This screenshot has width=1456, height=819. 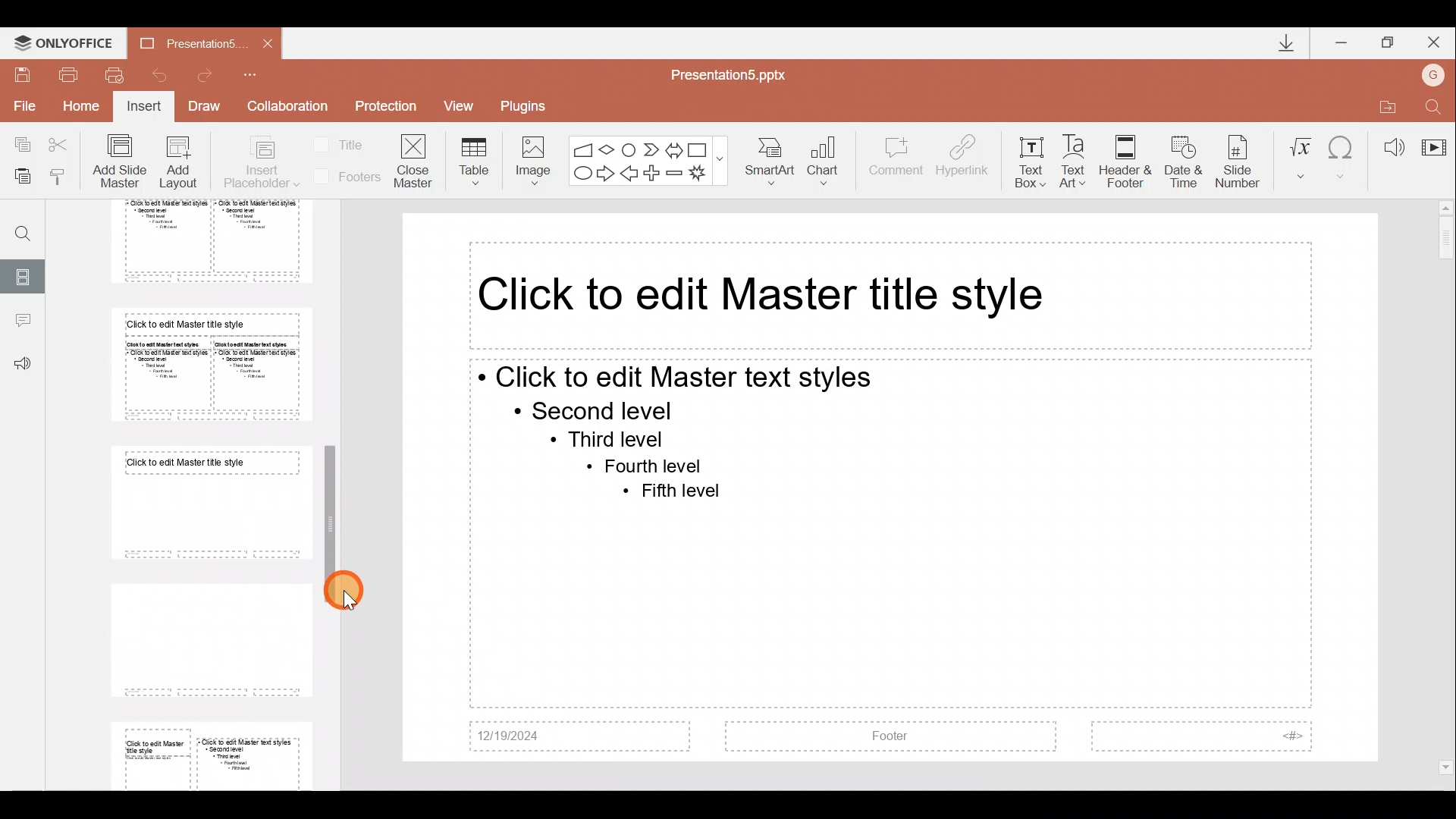 I want to click on Left arrow, so click(x=630, y=174).